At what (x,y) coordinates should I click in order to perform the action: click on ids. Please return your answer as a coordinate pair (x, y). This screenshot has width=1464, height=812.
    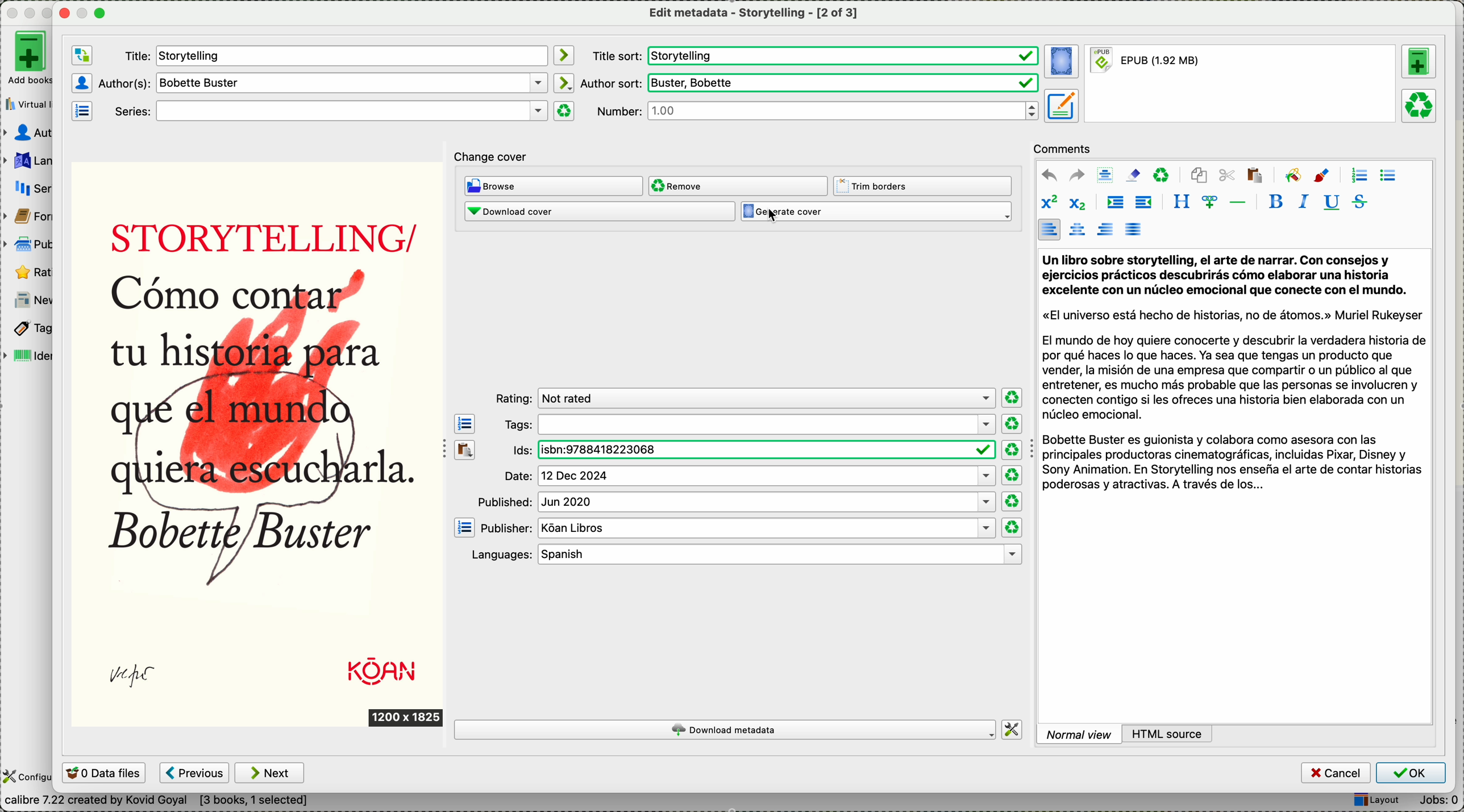
    Looking at the image, I should click on (747, 449).